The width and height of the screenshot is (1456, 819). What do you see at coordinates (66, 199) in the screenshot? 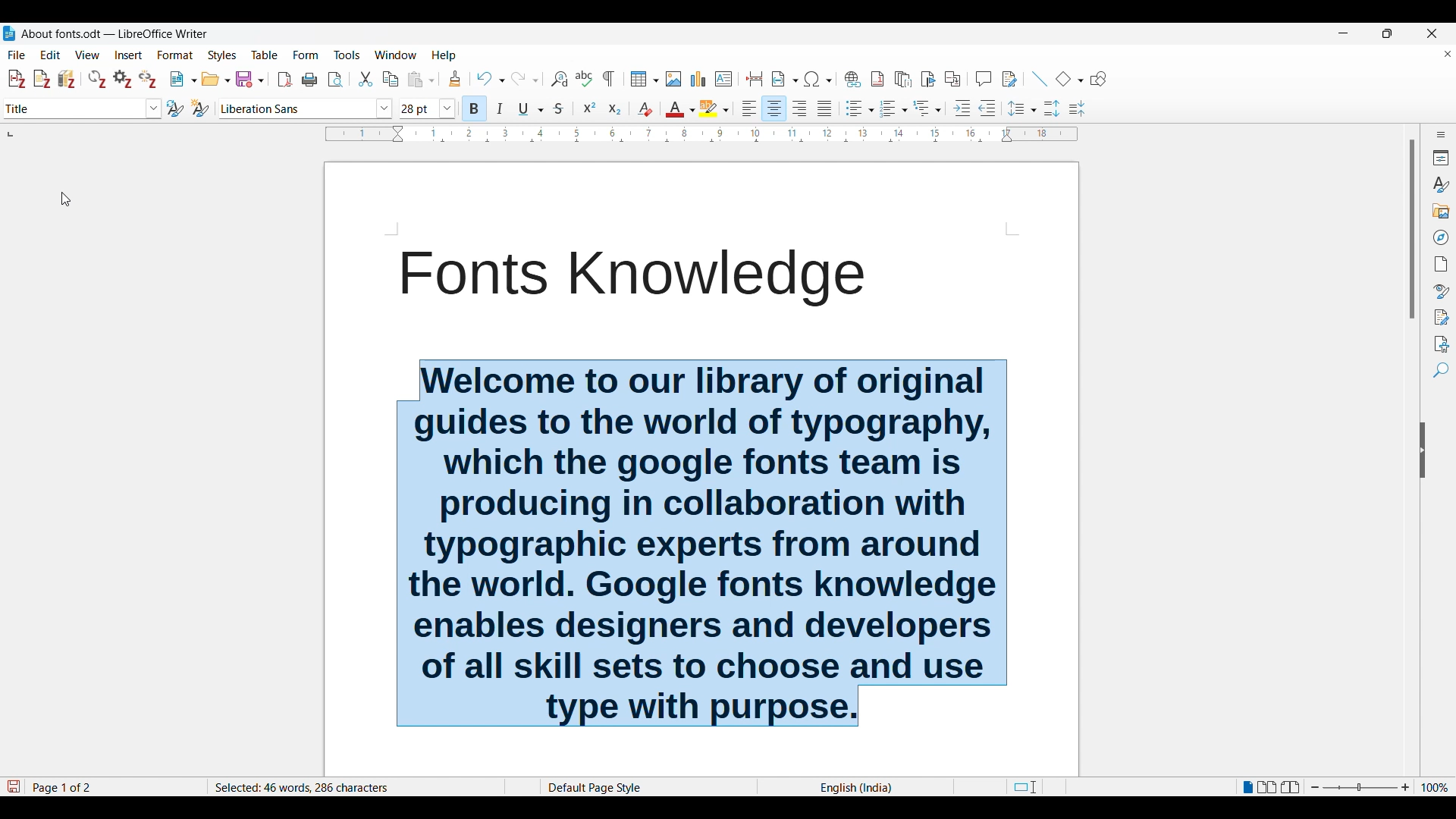
I see `Cursor position unchanged` at bounding box center [66, 199].